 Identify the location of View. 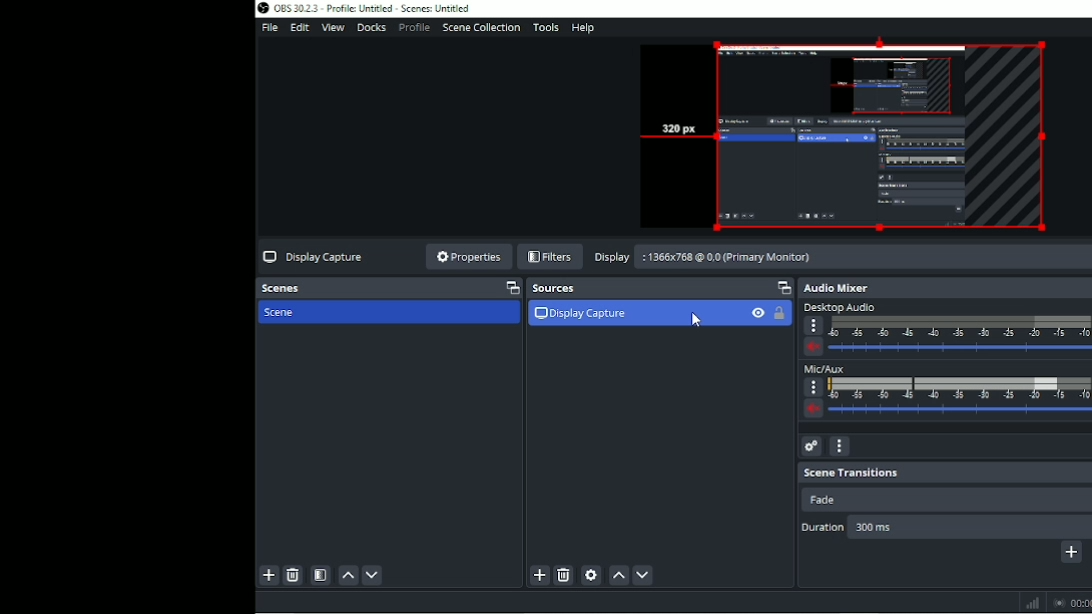
(333, 29).